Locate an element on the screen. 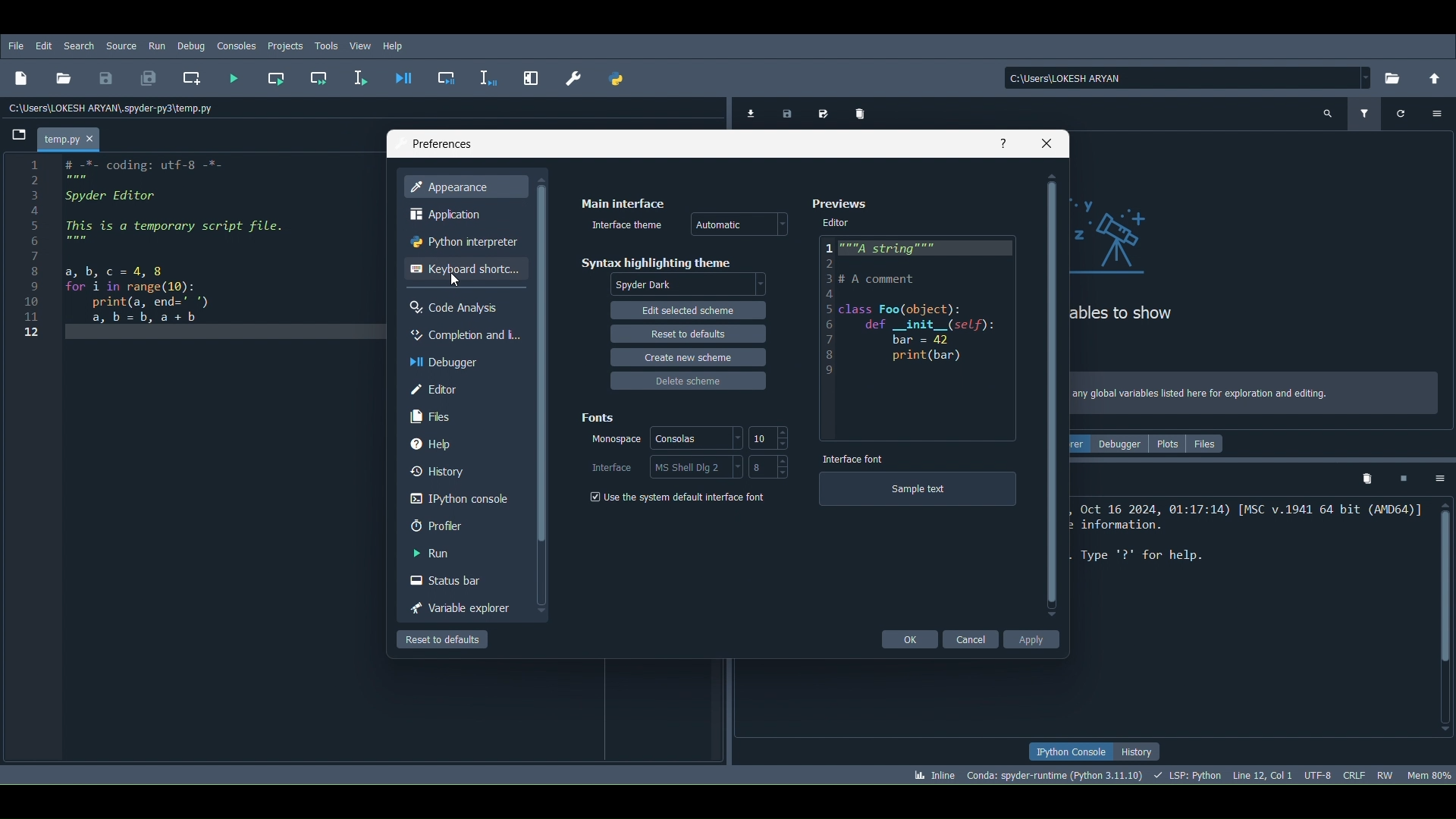 The image size is (1456, 819). Scrollbar is located at coordinates (1050, 395).